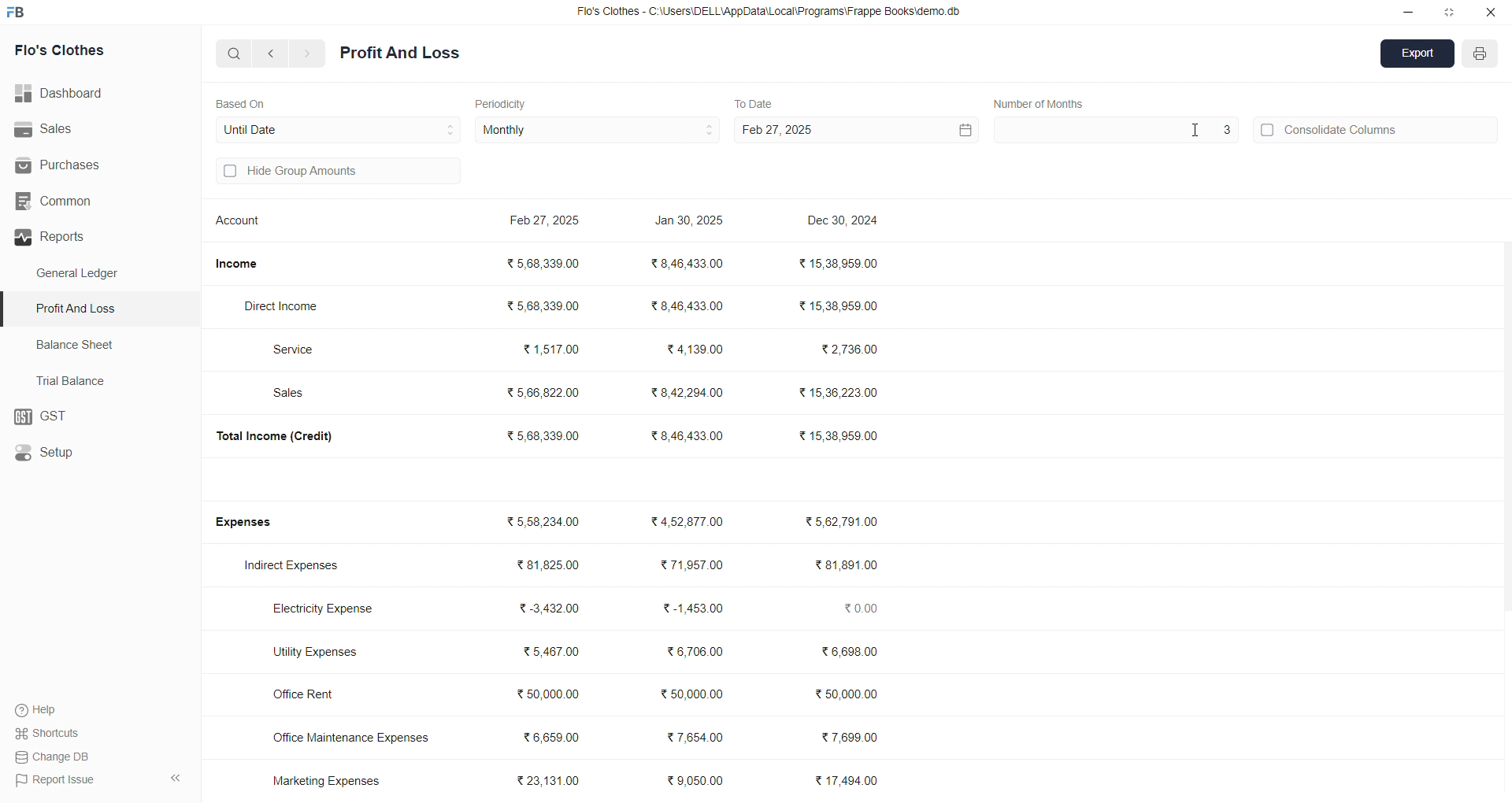  I want to click on navigate forward, so click(308, 54).